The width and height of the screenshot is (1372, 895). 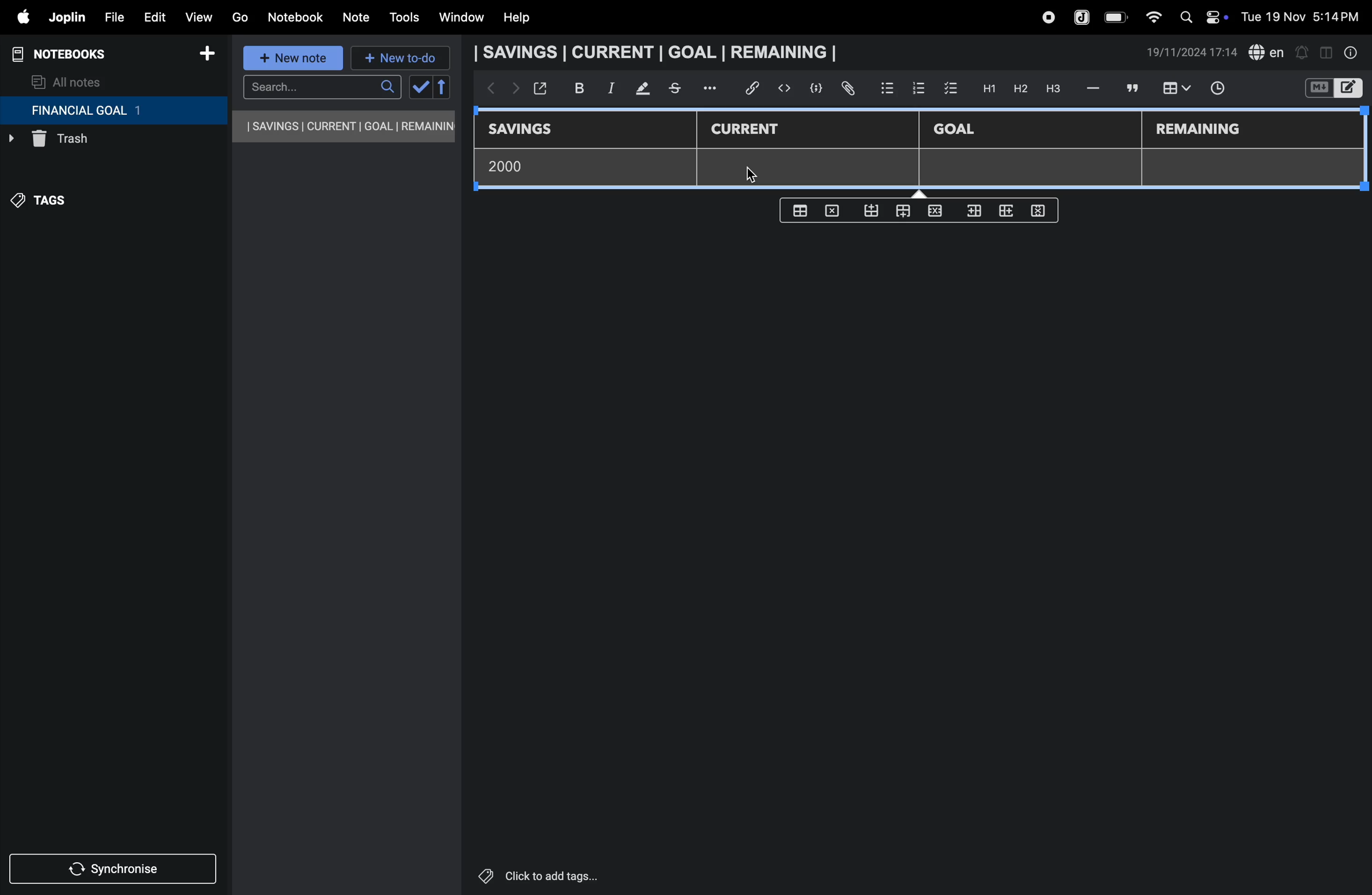 What do you see at coordinates (951, 89) in the screenshot?
I see `check box` at bounding box center [951, 89].